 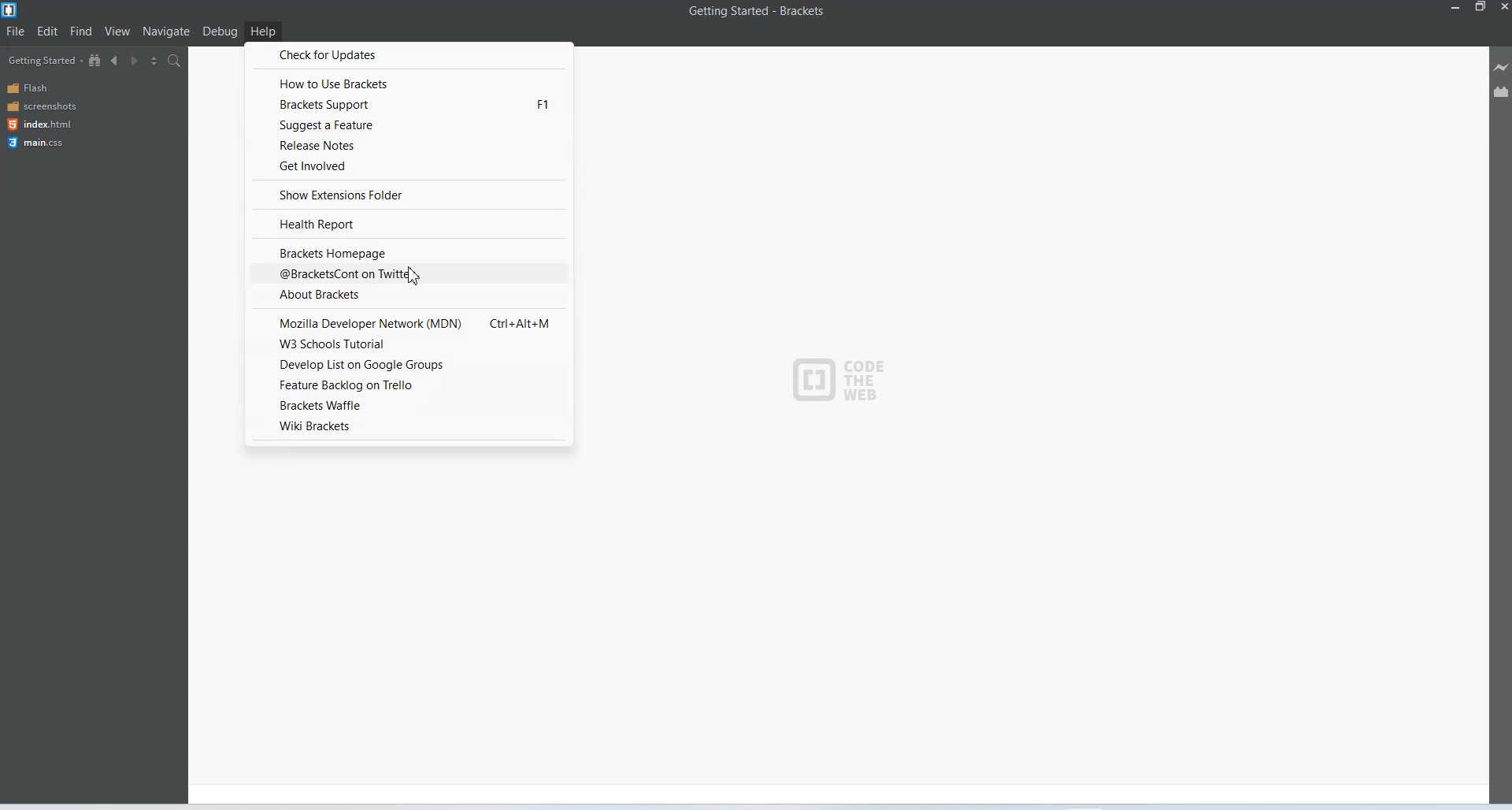 What do you see at coordinates (175, 61) in the screenshot?
I see `Find in files` at bounding box center [175, 61].